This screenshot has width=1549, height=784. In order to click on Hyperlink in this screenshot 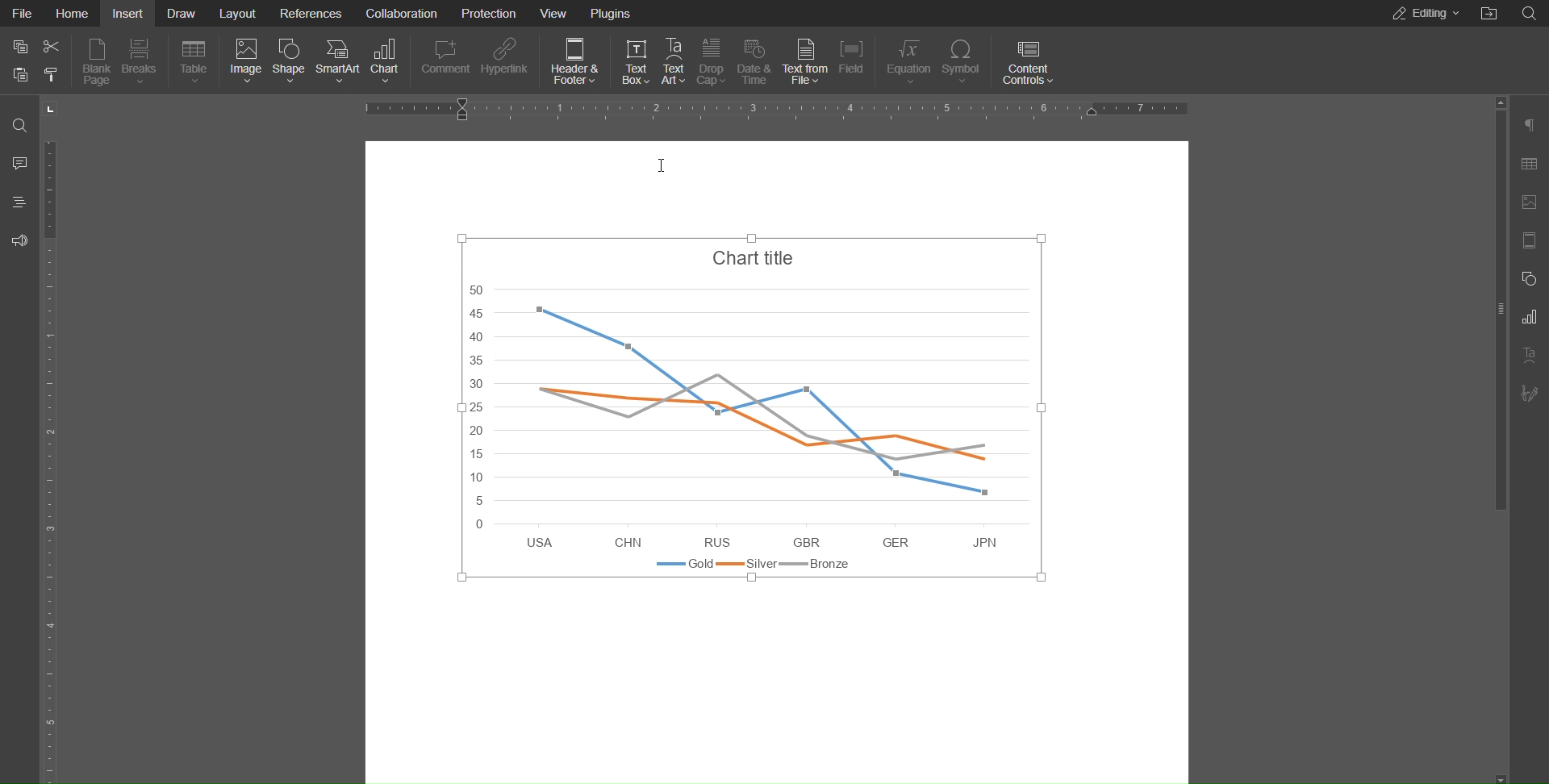, I will do `click(506, 61)`.